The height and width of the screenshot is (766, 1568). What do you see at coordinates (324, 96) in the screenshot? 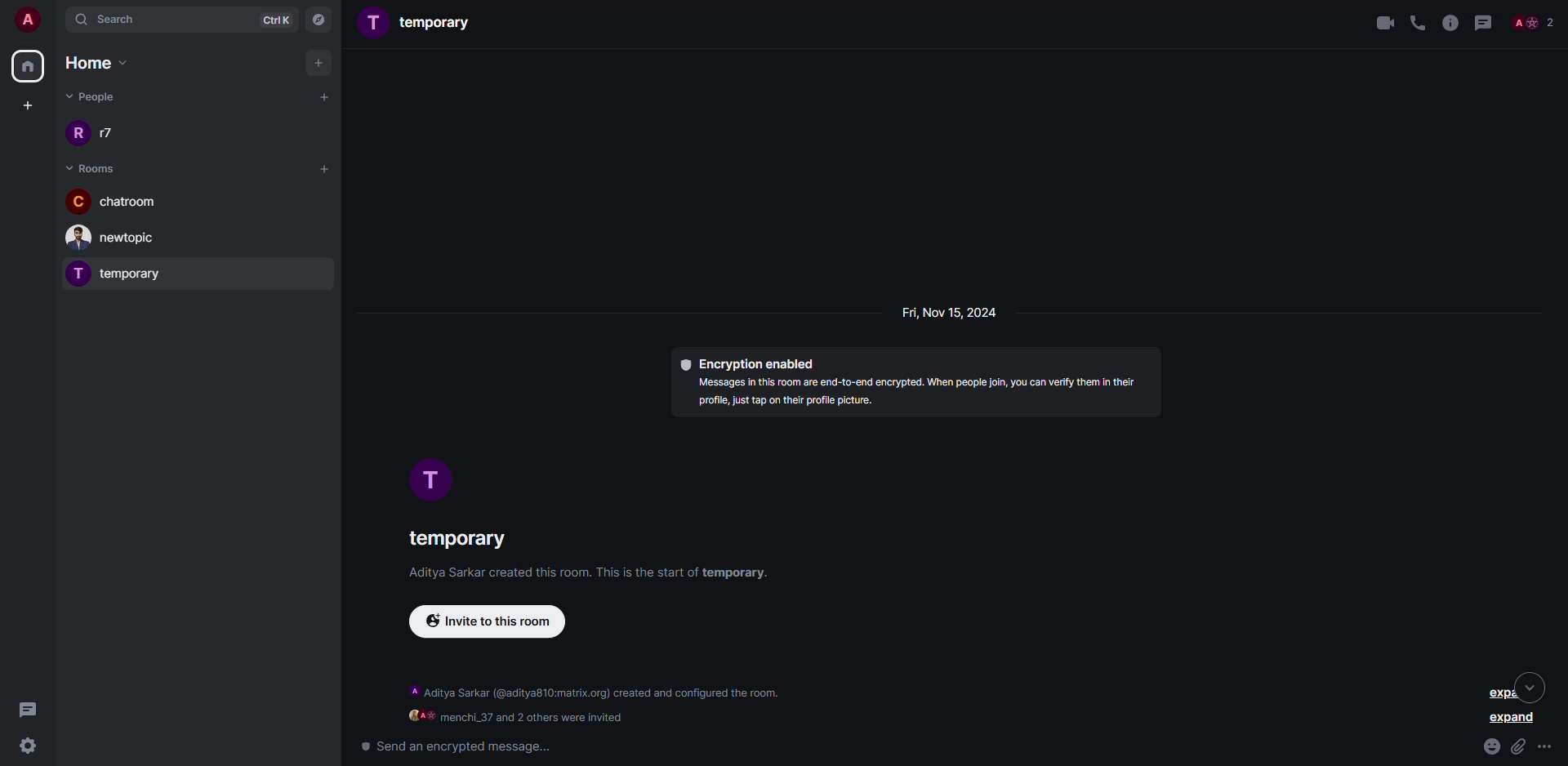
I see `add` at bounding box center [324, 96].